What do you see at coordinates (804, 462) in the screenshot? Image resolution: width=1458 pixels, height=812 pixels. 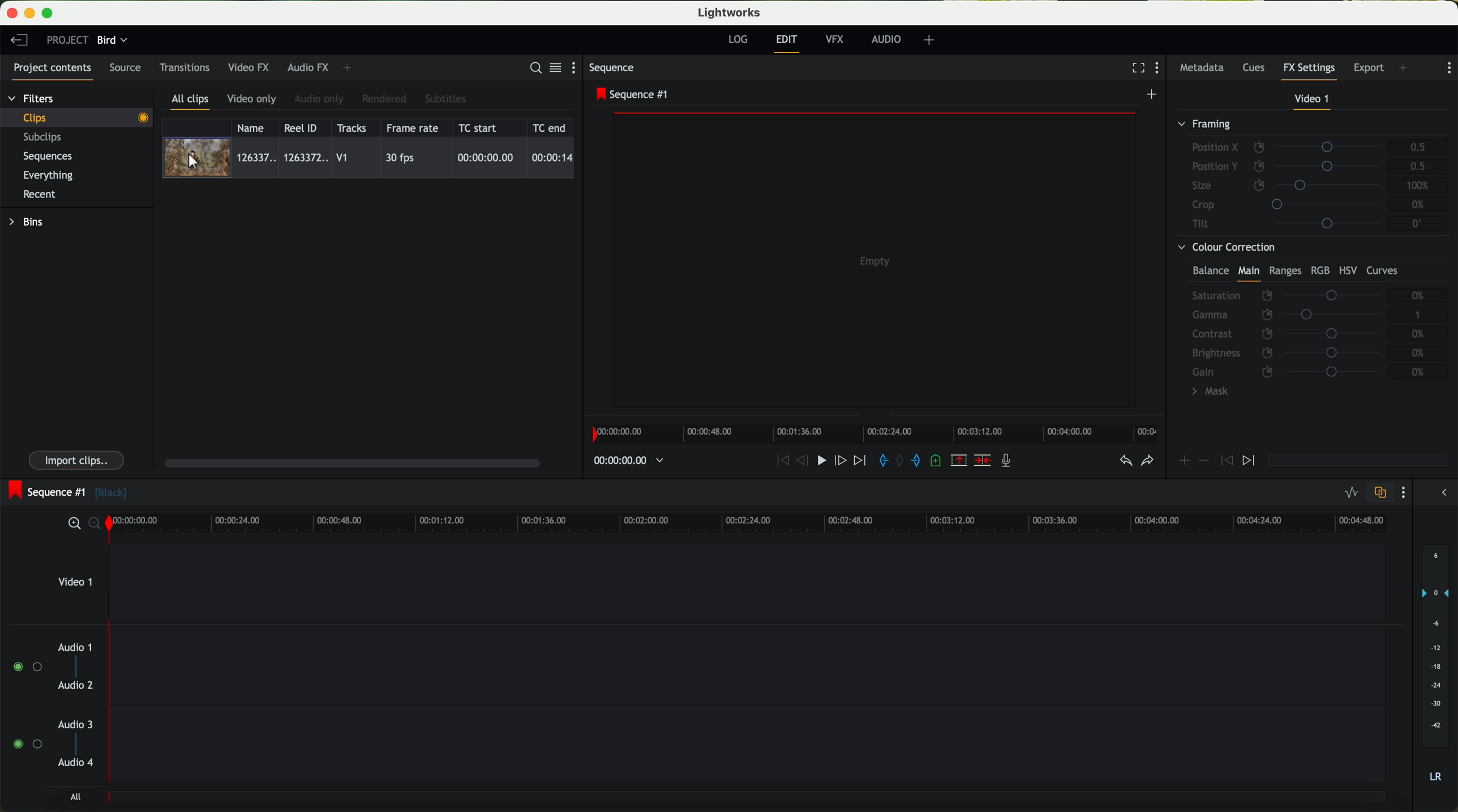 I see `nudge one frame back` at bounding box center [804, 462].